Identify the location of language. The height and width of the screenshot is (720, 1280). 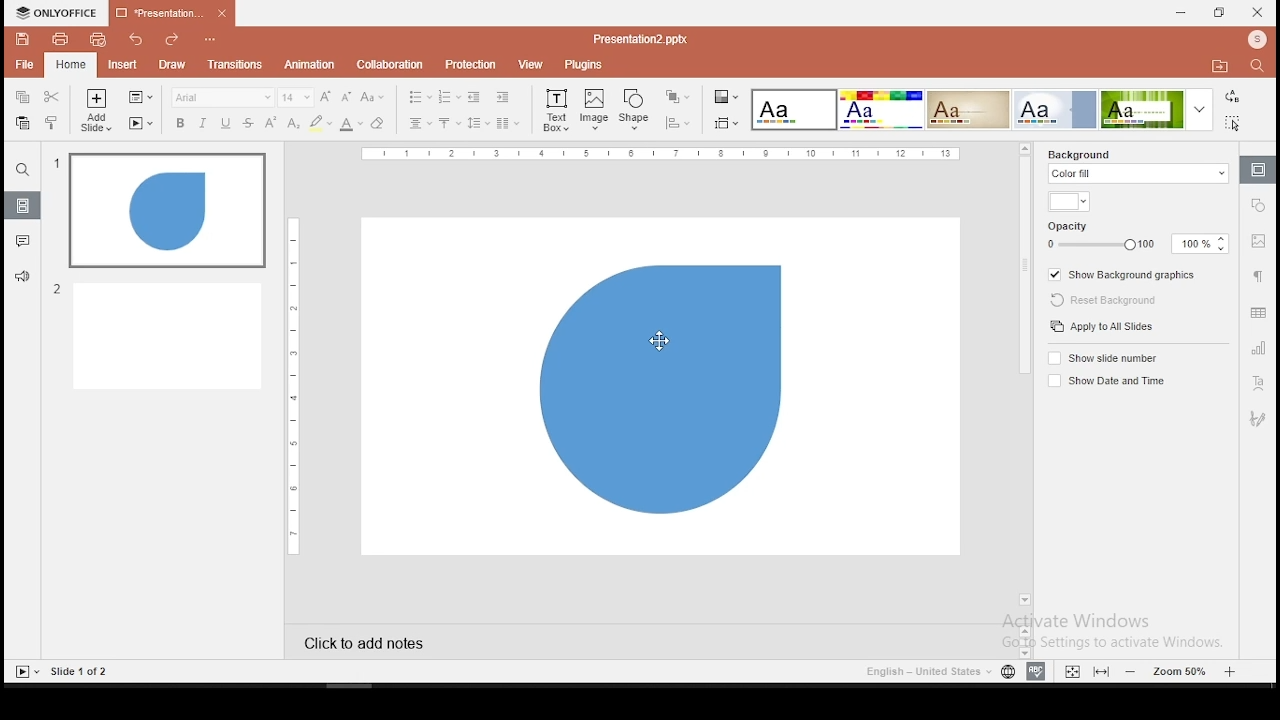
(1008, 672).